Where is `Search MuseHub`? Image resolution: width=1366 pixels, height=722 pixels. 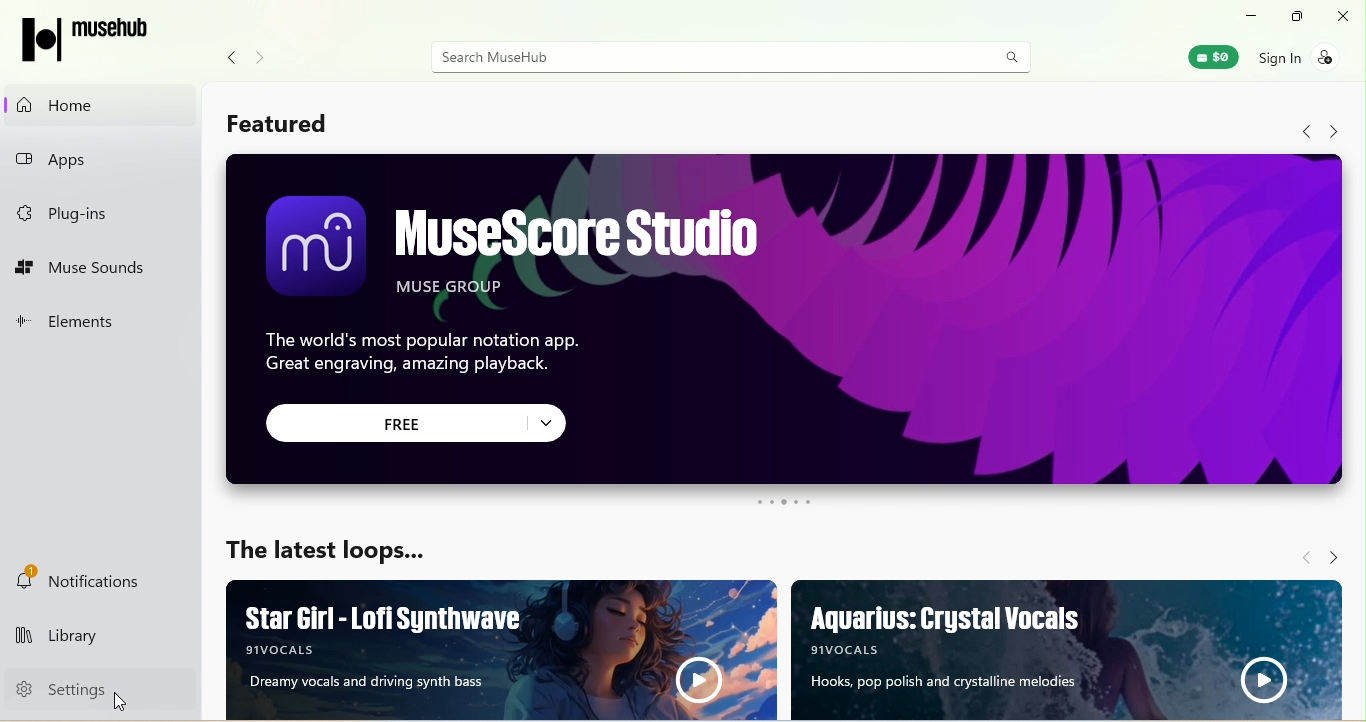 Search MuseHub is located at coordinates (734, 56).